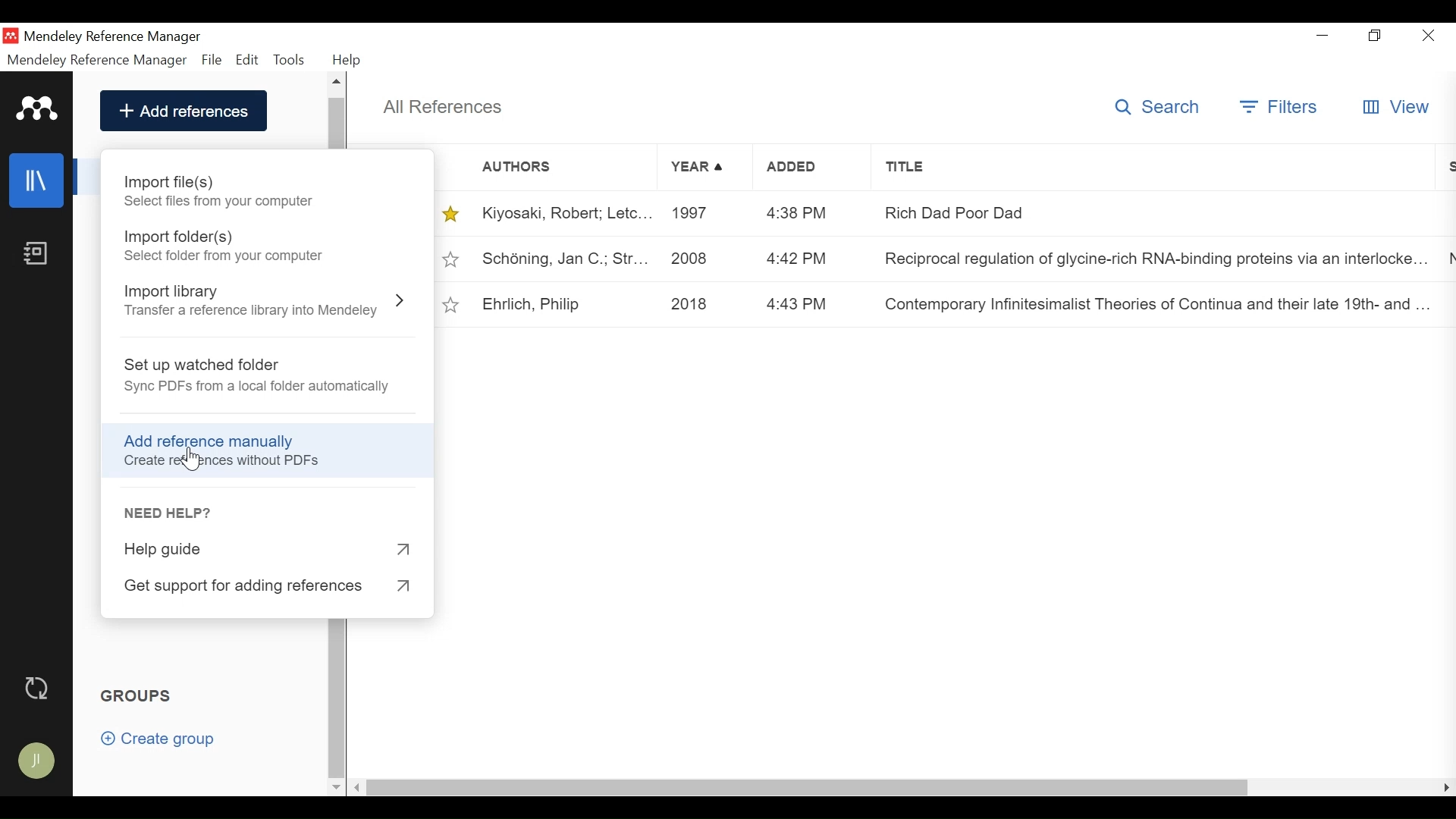 This screenshot has width=1456, height=819. I want to click on 2018, so click(695, 303).